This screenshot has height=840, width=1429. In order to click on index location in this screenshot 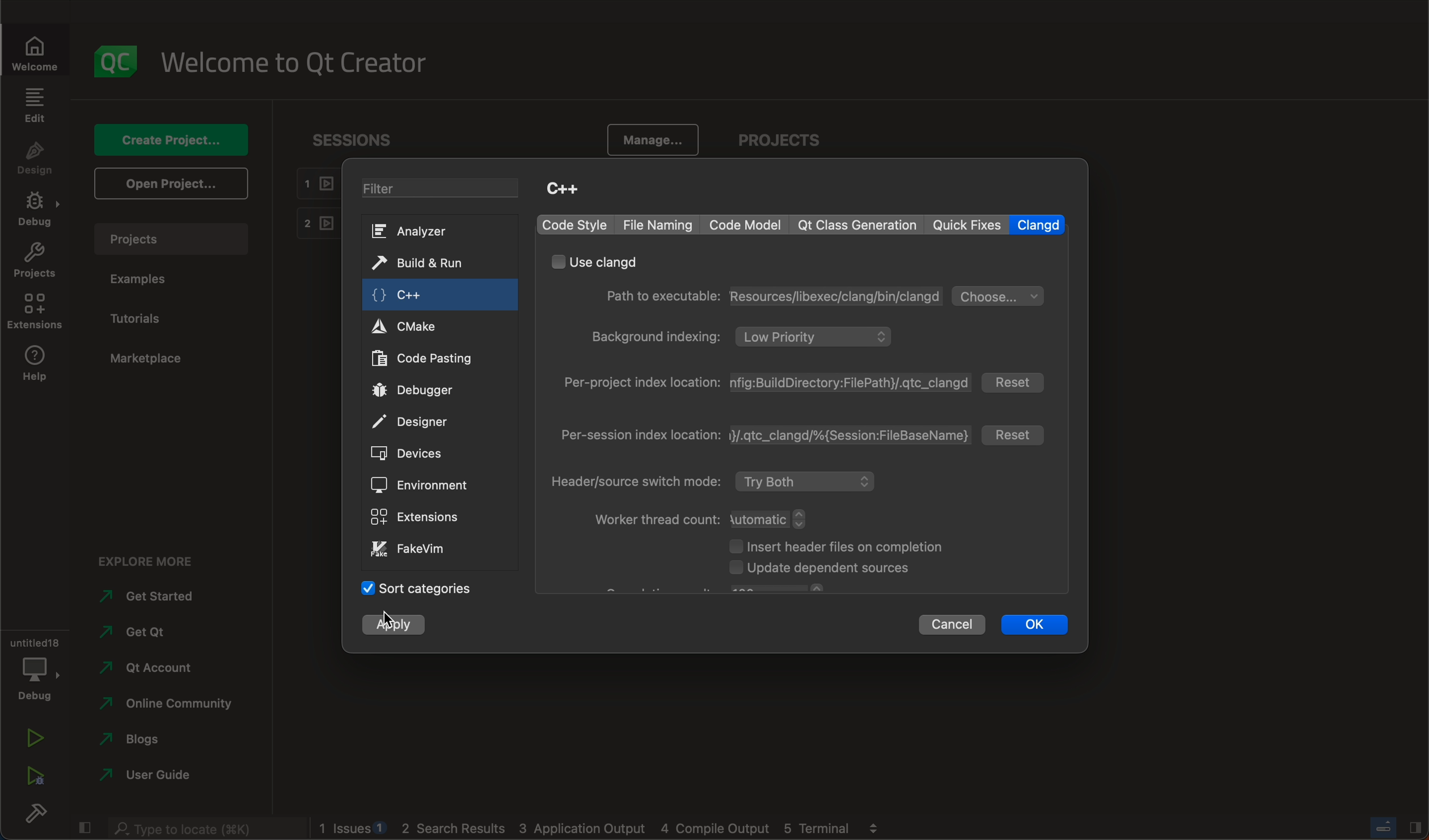, I will do `click(768, 384)`.